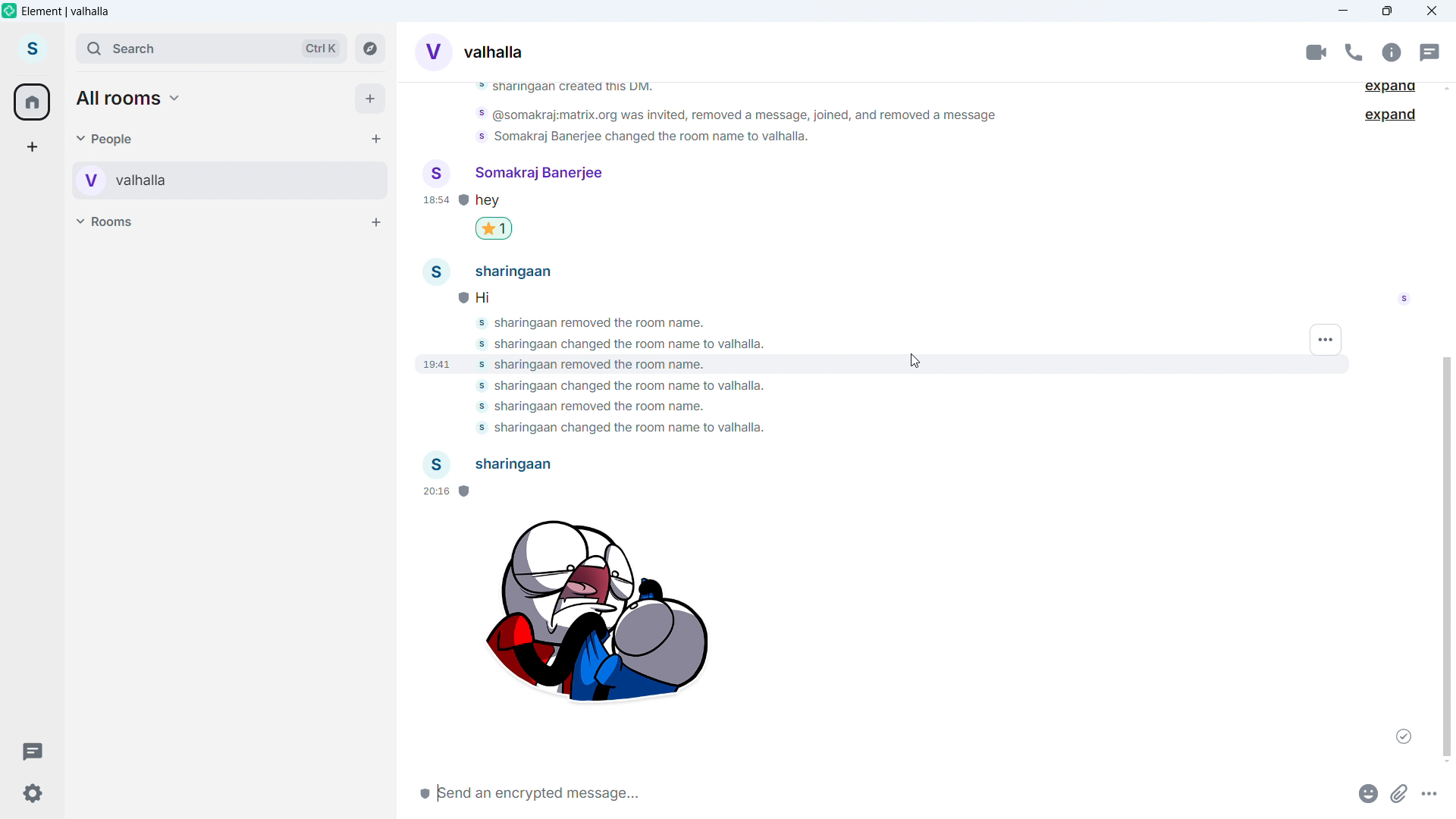 The width and height of the screenshot is (1456, 819). I want to click on hey, so click(502, 201).